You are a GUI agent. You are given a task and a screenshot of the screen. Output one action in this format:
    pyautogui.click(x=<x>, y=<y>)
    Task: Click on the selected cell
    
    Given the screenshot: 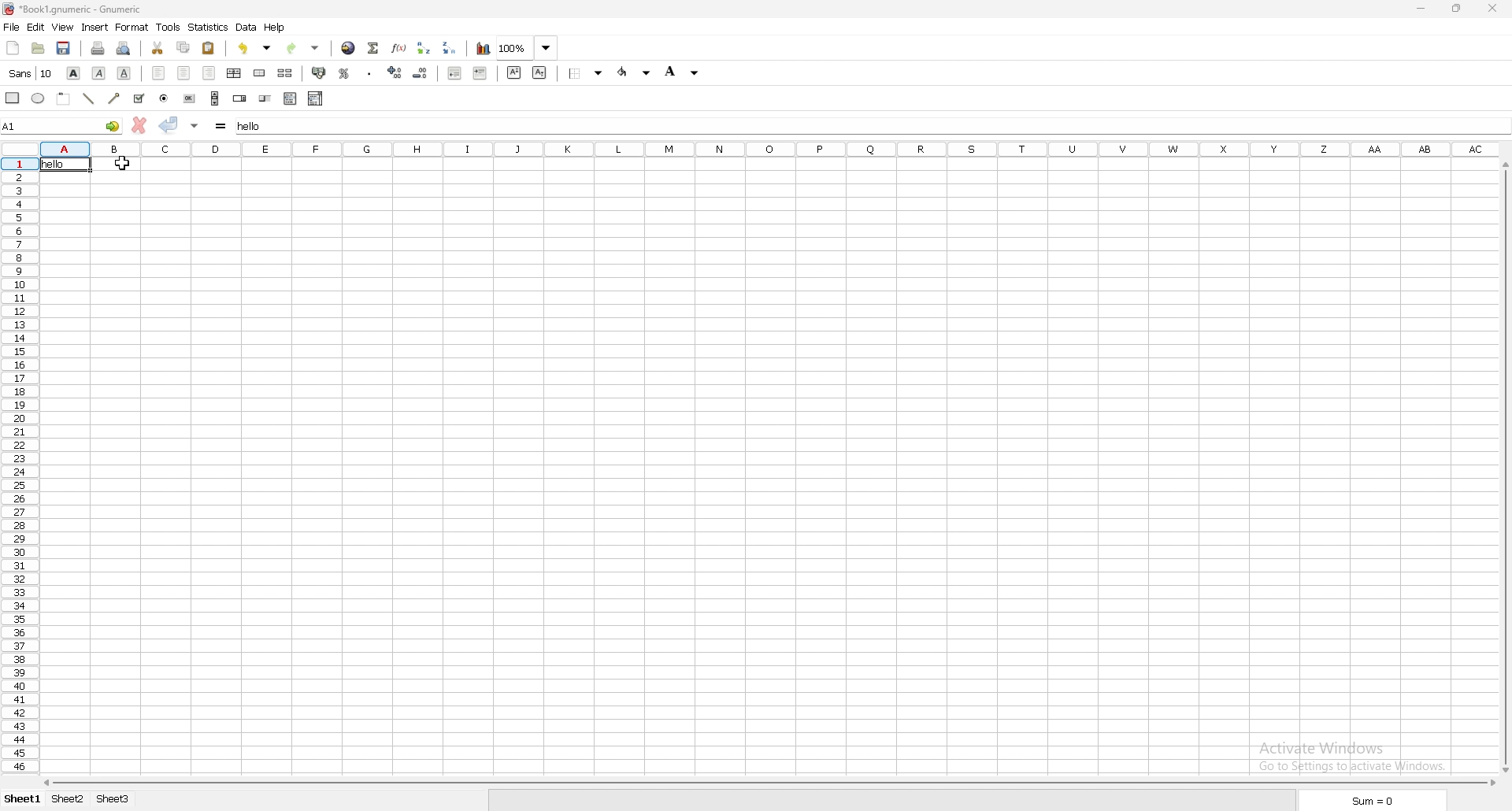 What is the action you would take?
    pyautogui.click(x=63, y=124)
    